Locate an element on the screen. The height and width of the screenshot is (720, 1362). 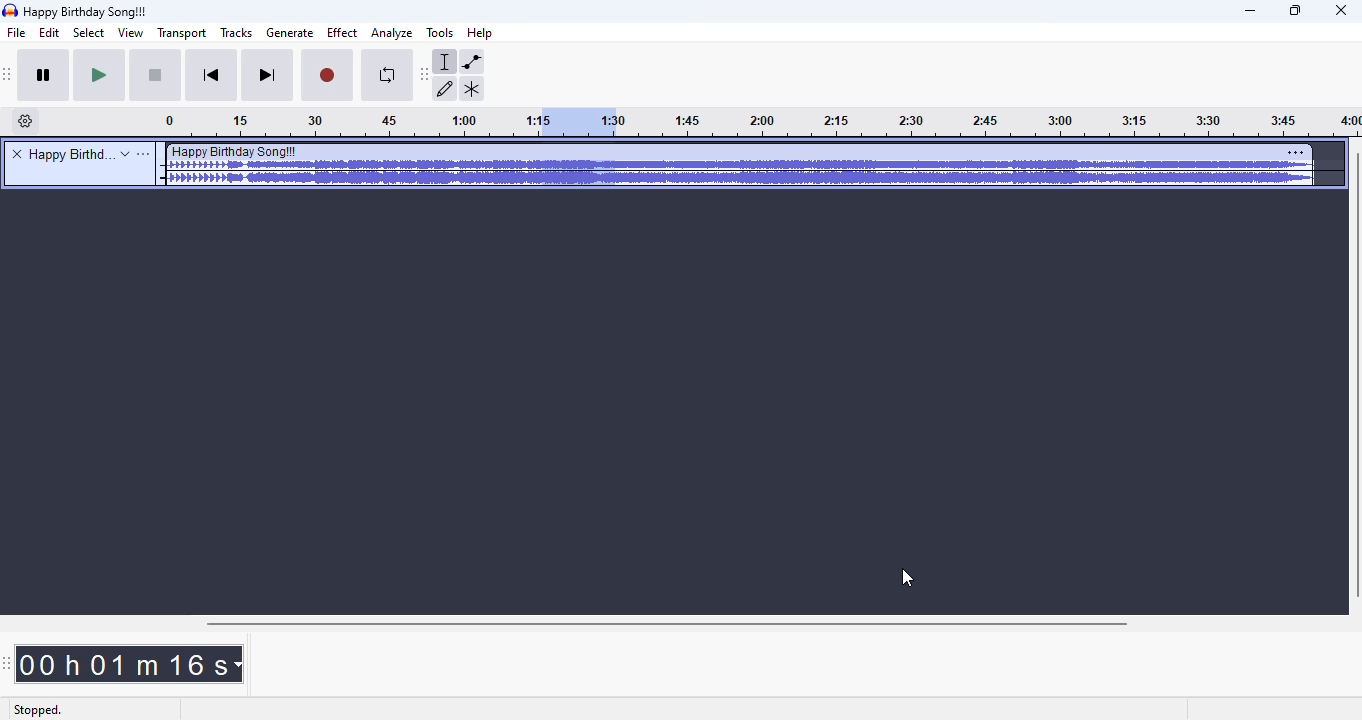
select is located at coordinates (89, 33).